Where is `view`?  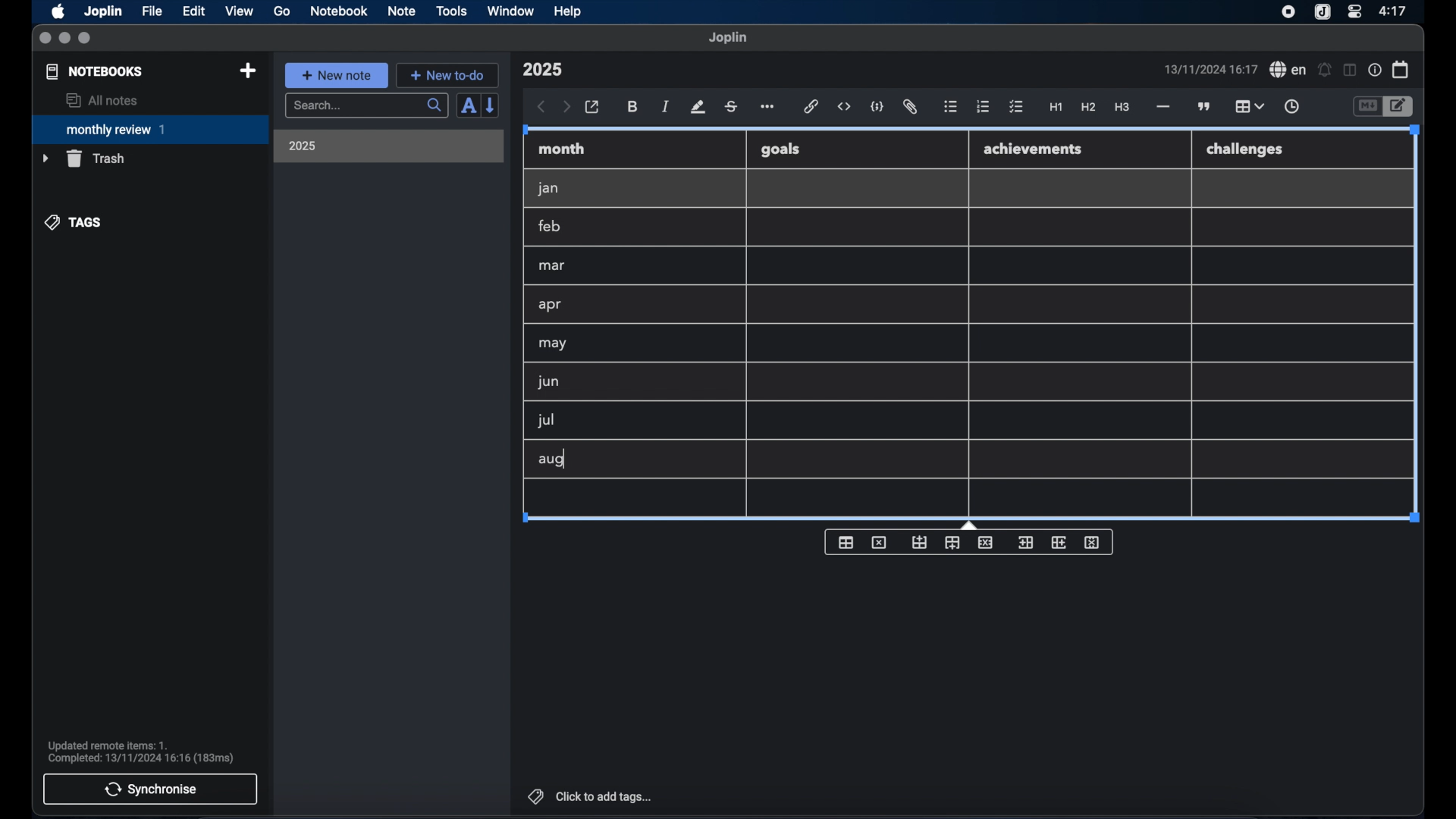
view is located at coordinates (239, 11).